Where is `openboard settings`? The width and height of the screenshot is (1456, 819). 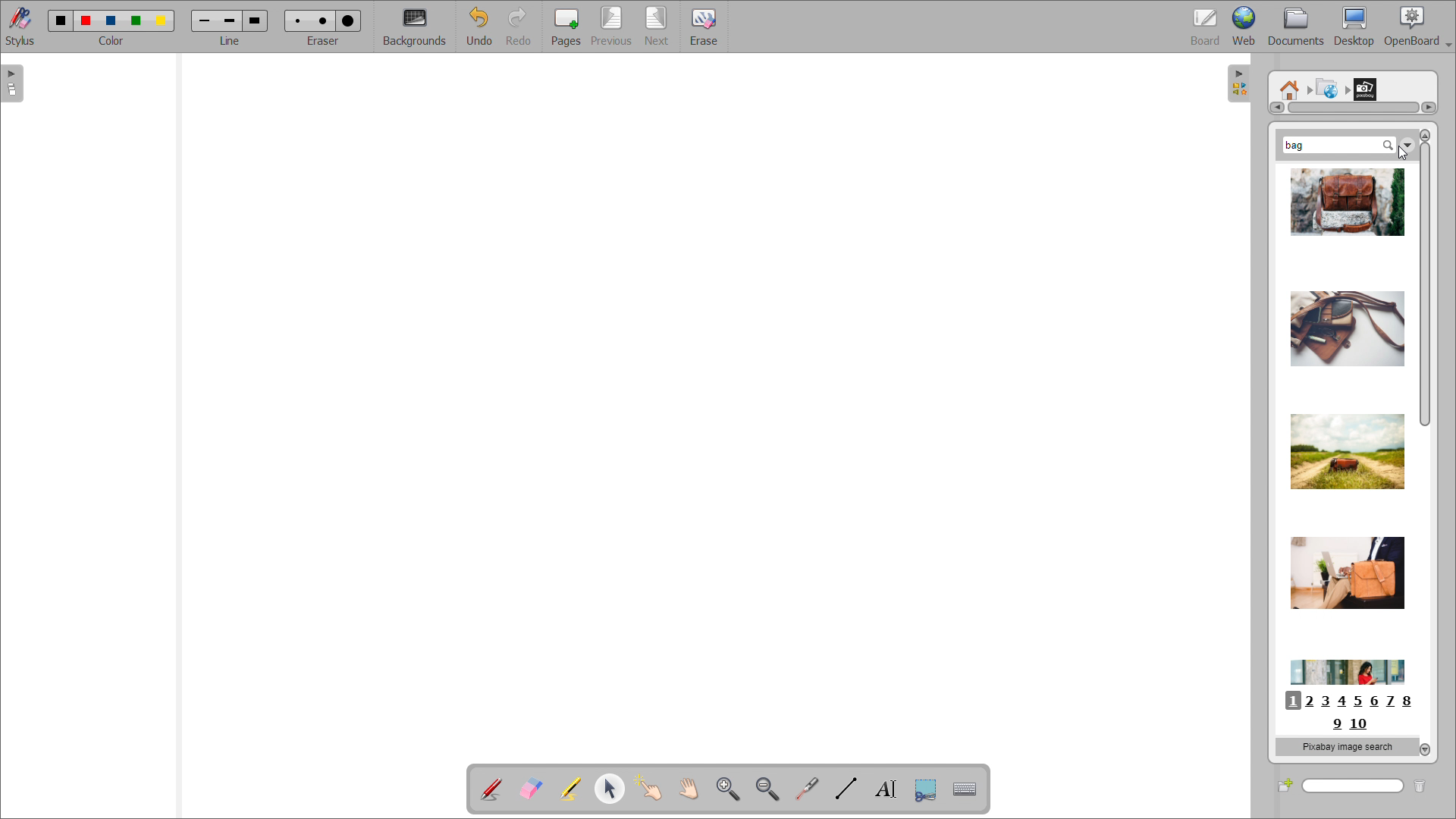
openboard settings is located at coordinates (1417, 27).